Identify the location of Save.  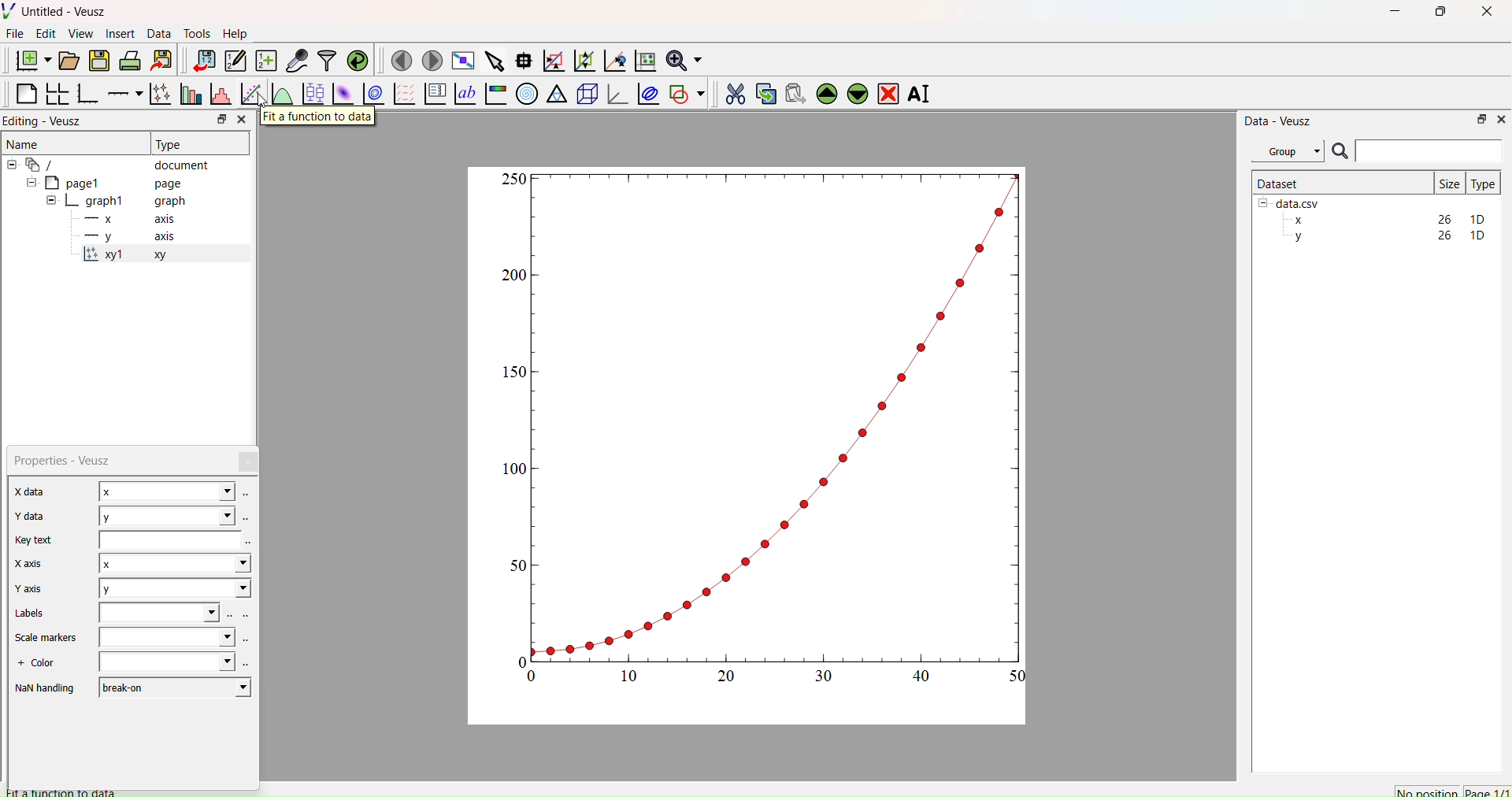
(98, 59).